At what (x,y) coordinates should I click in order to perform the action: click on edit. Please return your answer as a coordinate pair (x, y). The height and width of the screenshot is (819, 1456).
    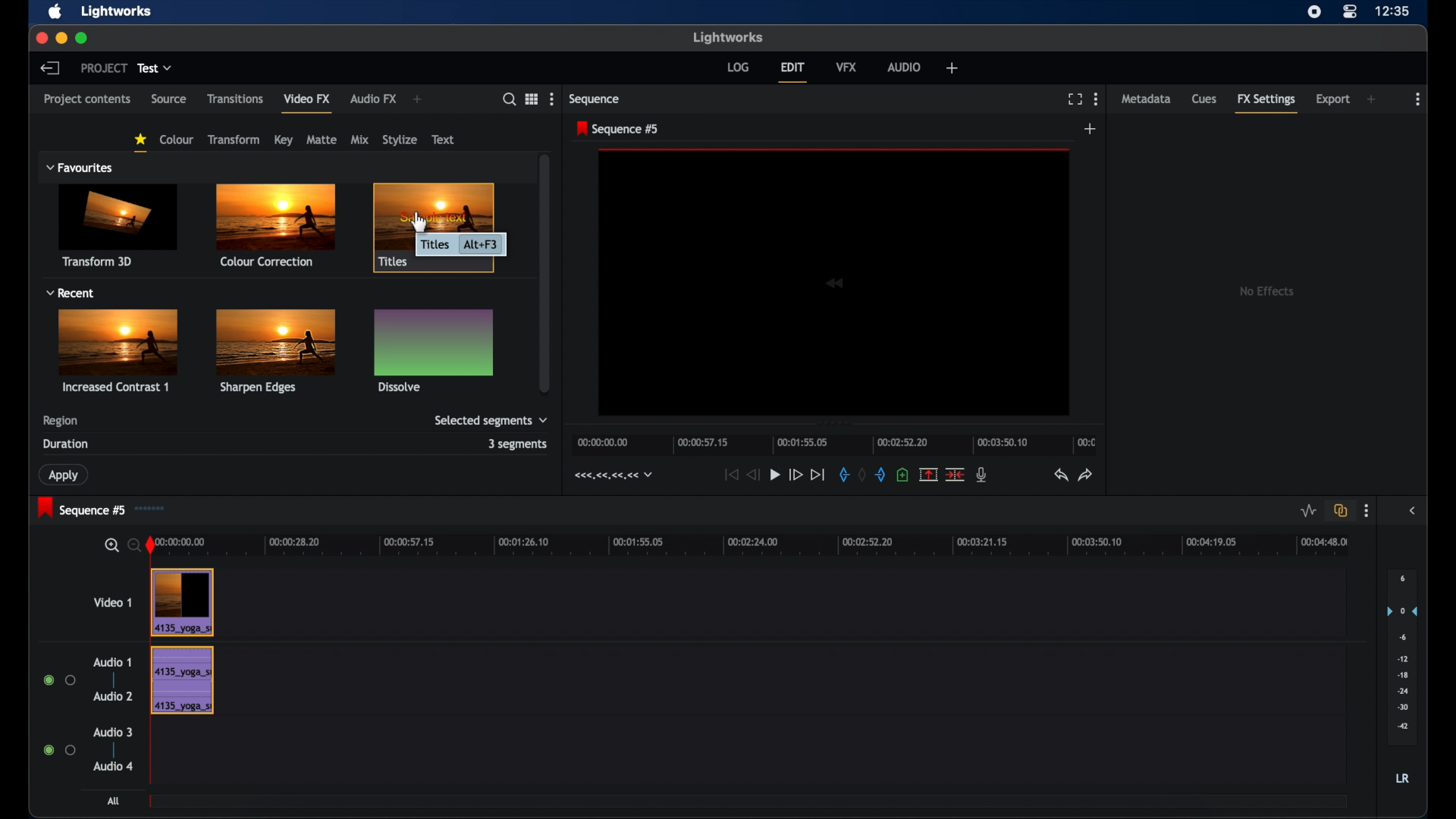
    Looking at the image, I should click on (793, 72).